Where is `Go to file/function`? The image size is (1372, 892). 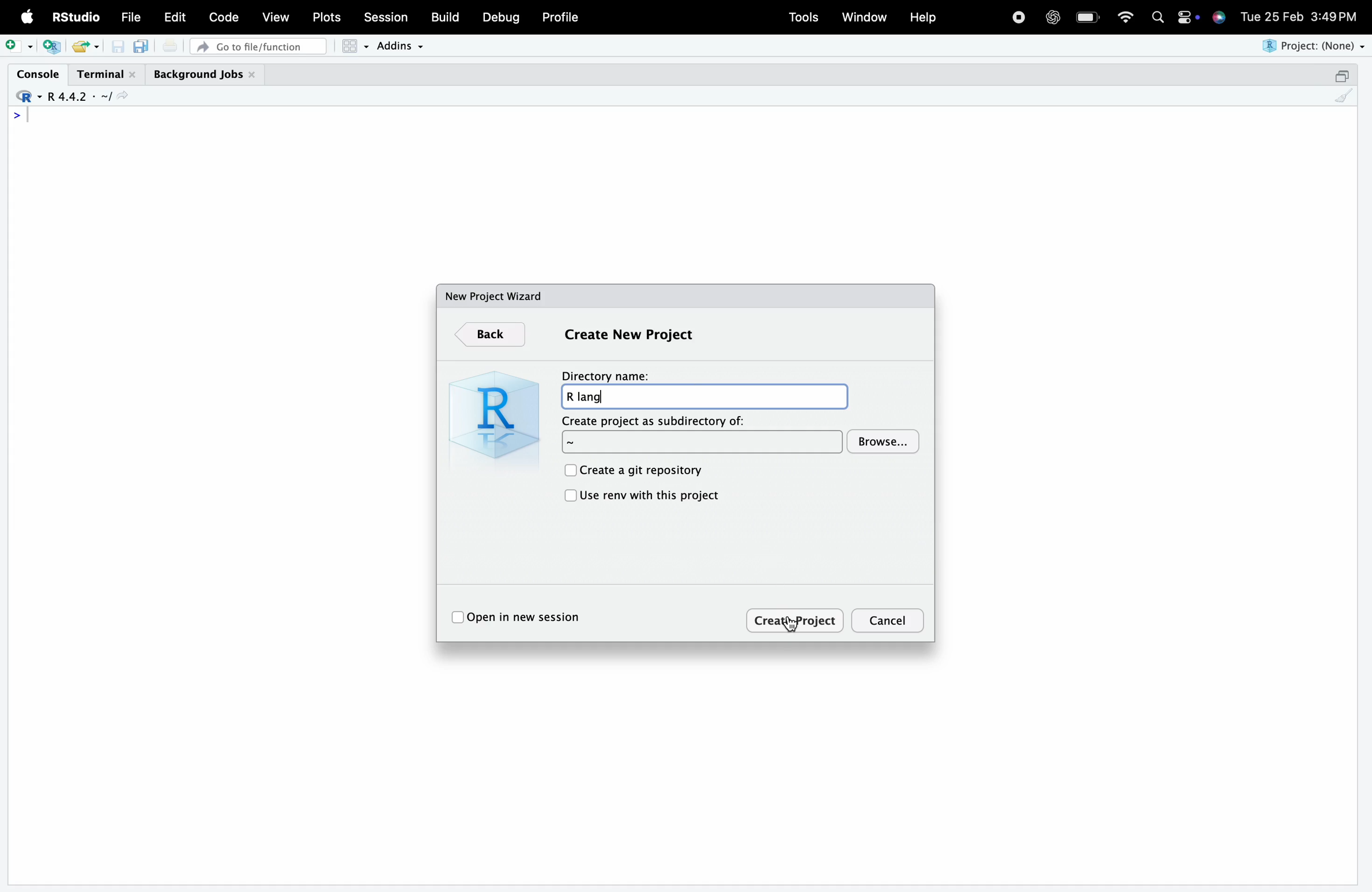
Go to file/function is located at coordinates (258, 47).